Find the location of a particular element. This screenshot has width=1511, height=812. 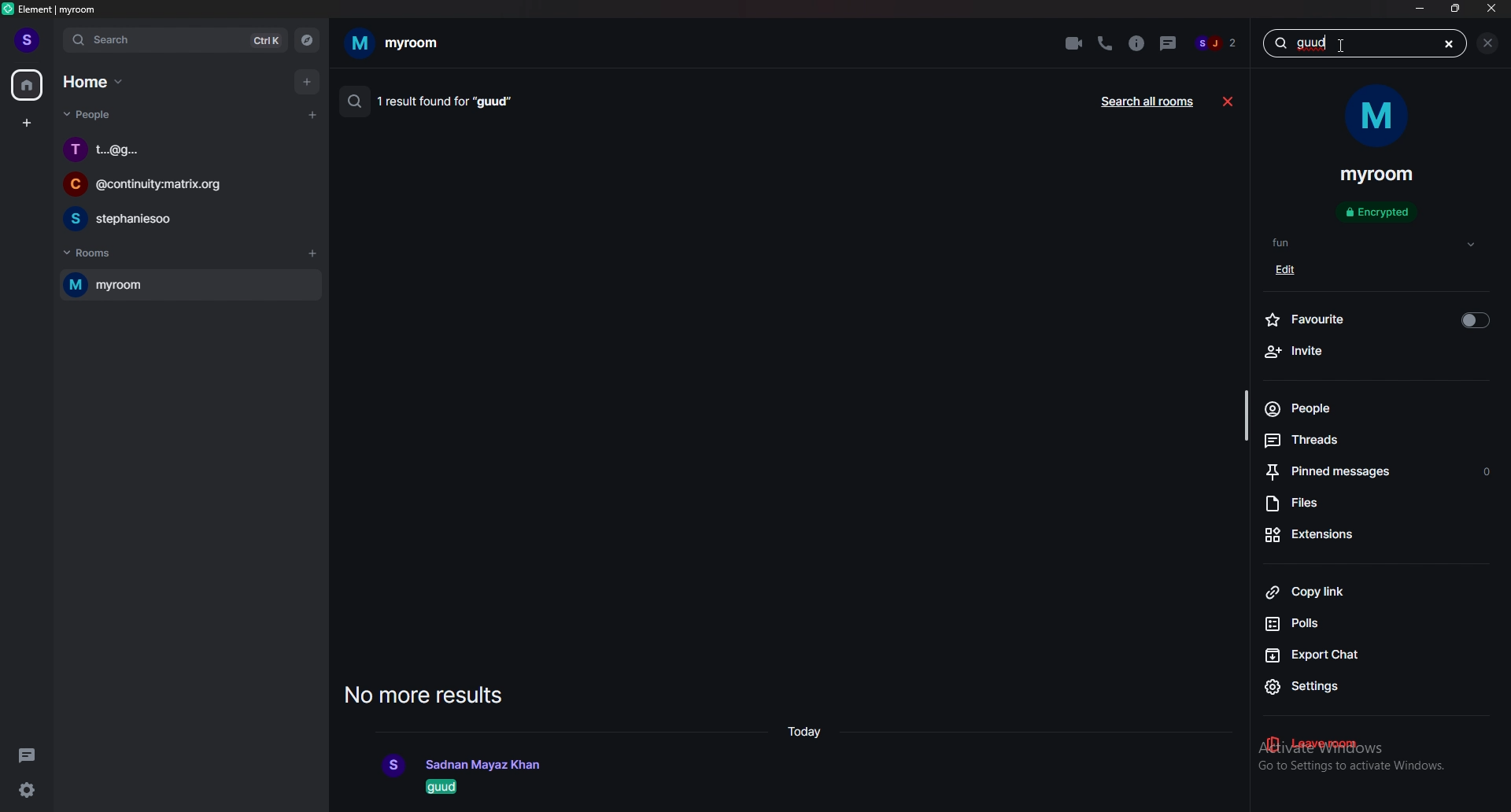

files is located at coordinates (1365, 504).